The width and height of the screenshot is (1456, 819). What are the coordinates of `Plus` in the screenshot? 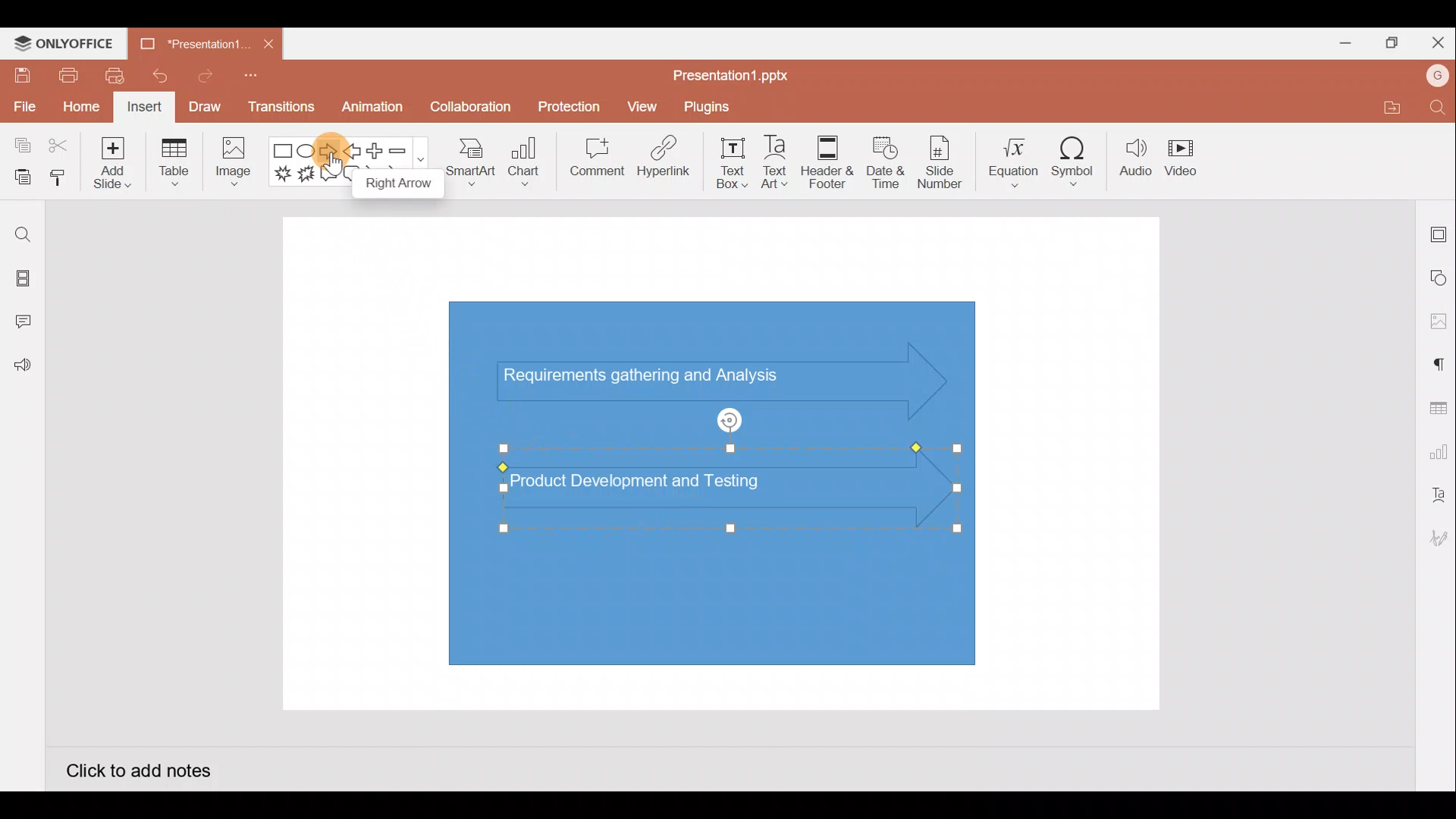 It's located at (378, 151).